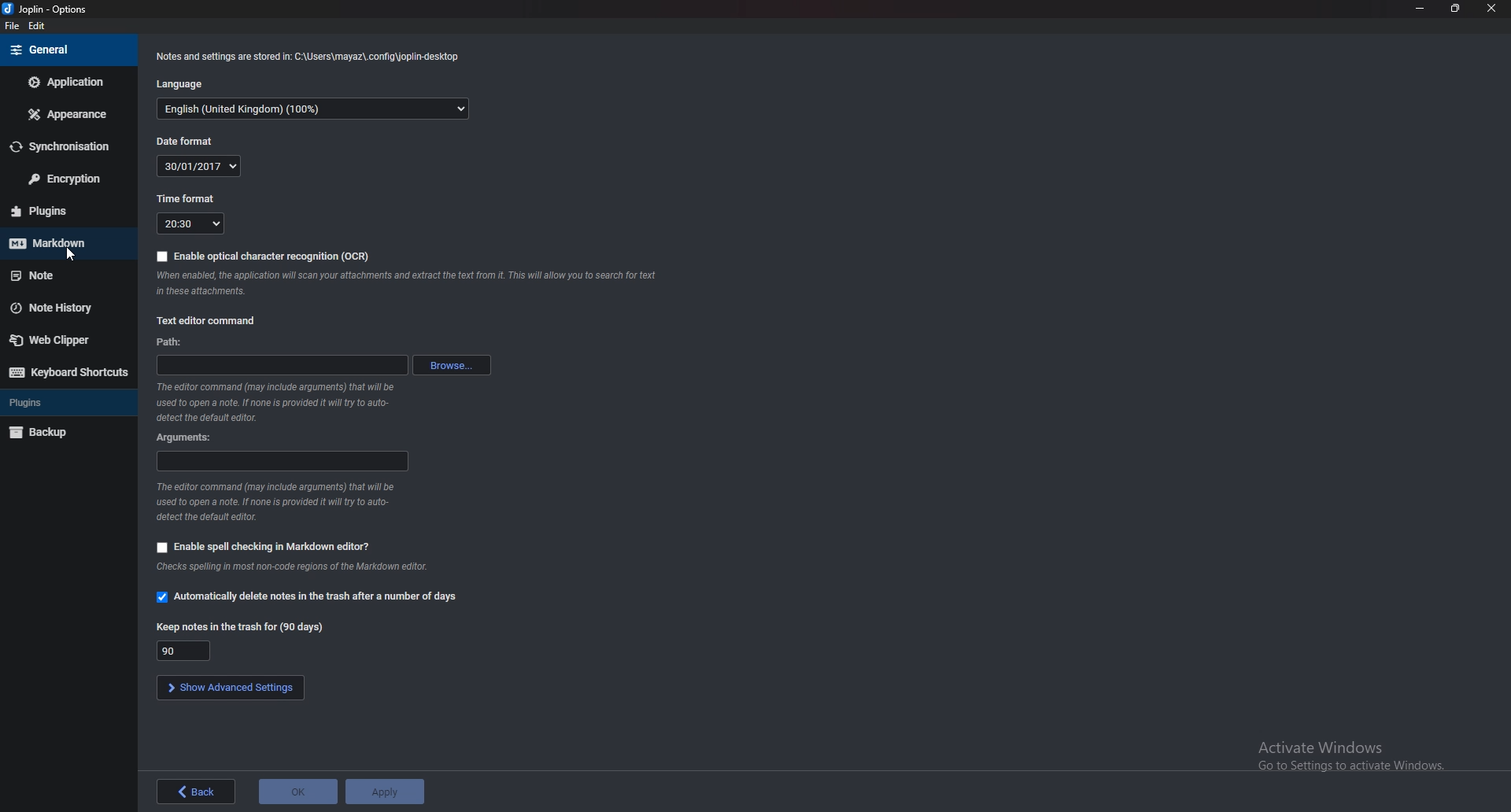  What do you see at coordinates (10, 27) in the screenshot?
I see `file` at bounding box center [10, 27].